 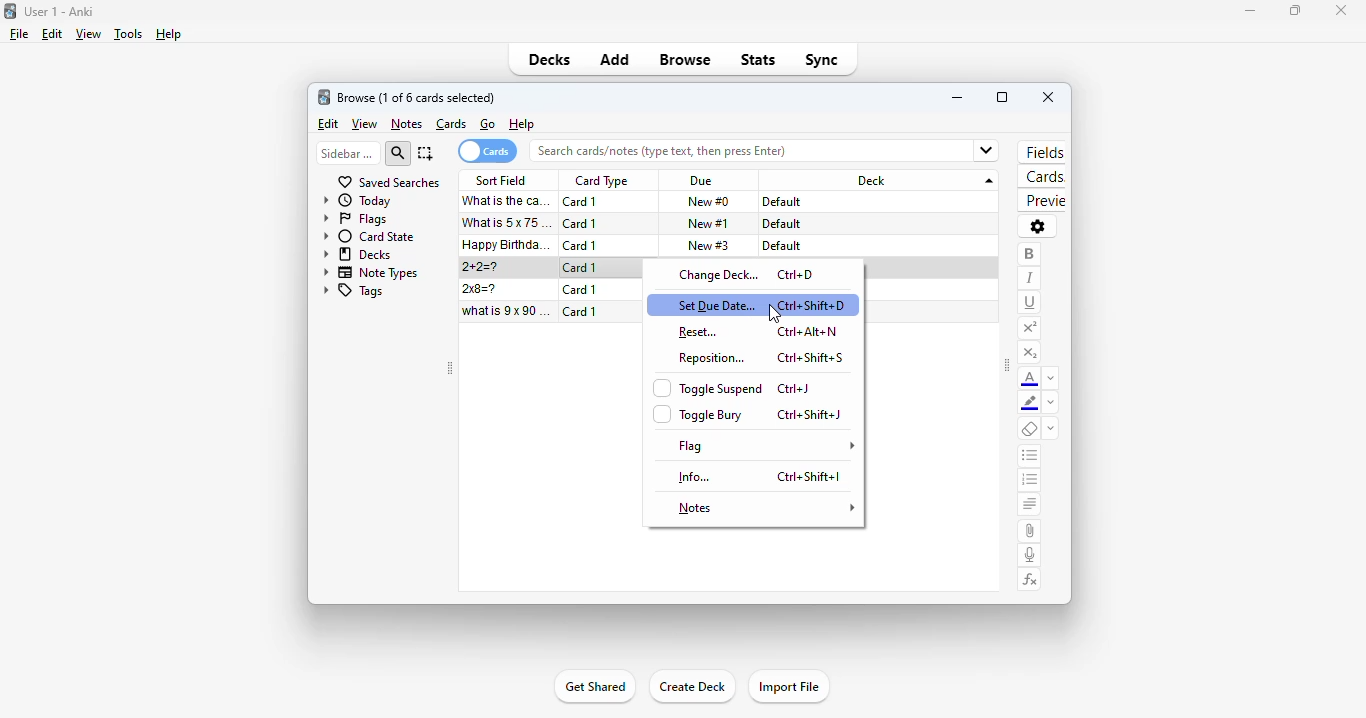 What do you see at coordinates (347, 153) in the screenshot?
I see `sidebar filter` at bounding box center [347, 153].